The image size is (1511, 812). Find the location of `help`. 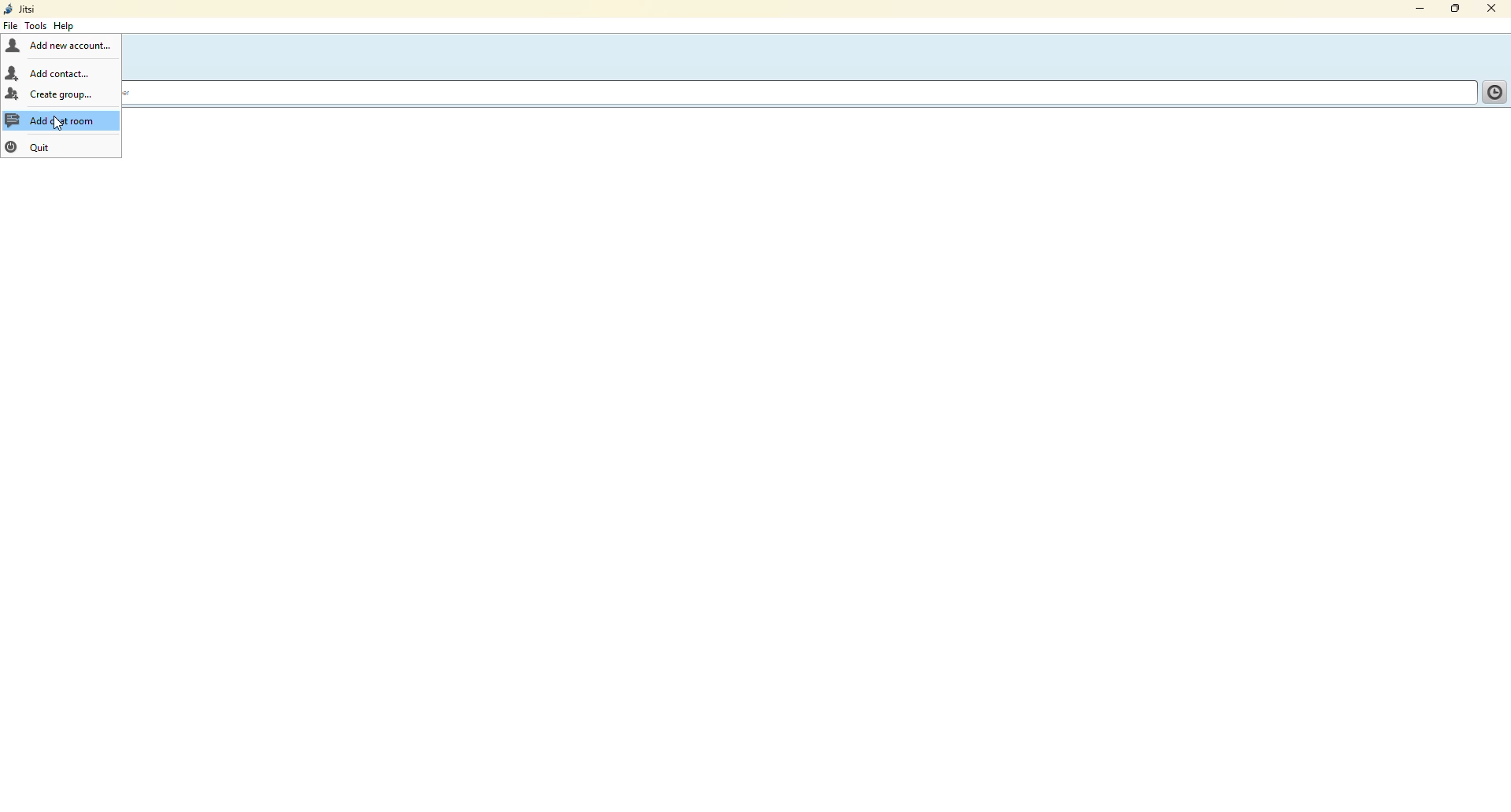

help is located at coordinates (64, 25).